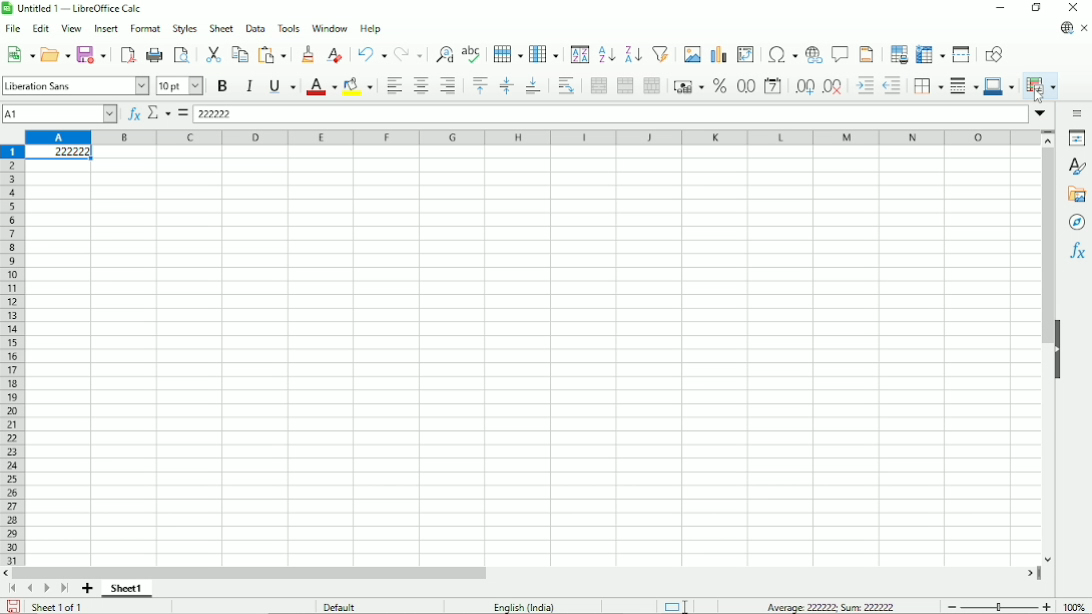 The height and width of the screenshot is (614, 1092). I want to click on Open, so click(56, 54).